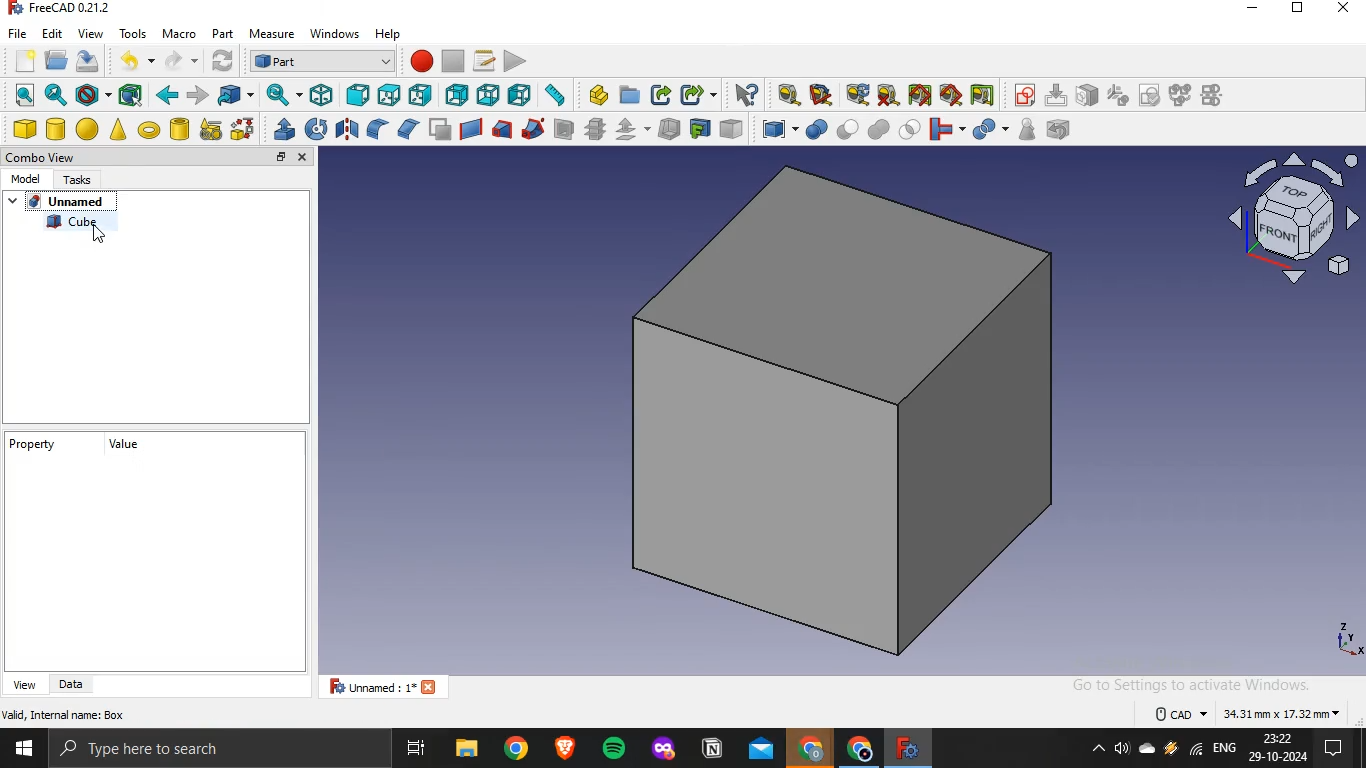 This screenshot has width=1366, height=768. I want to click on icon, so click(1118, 94).